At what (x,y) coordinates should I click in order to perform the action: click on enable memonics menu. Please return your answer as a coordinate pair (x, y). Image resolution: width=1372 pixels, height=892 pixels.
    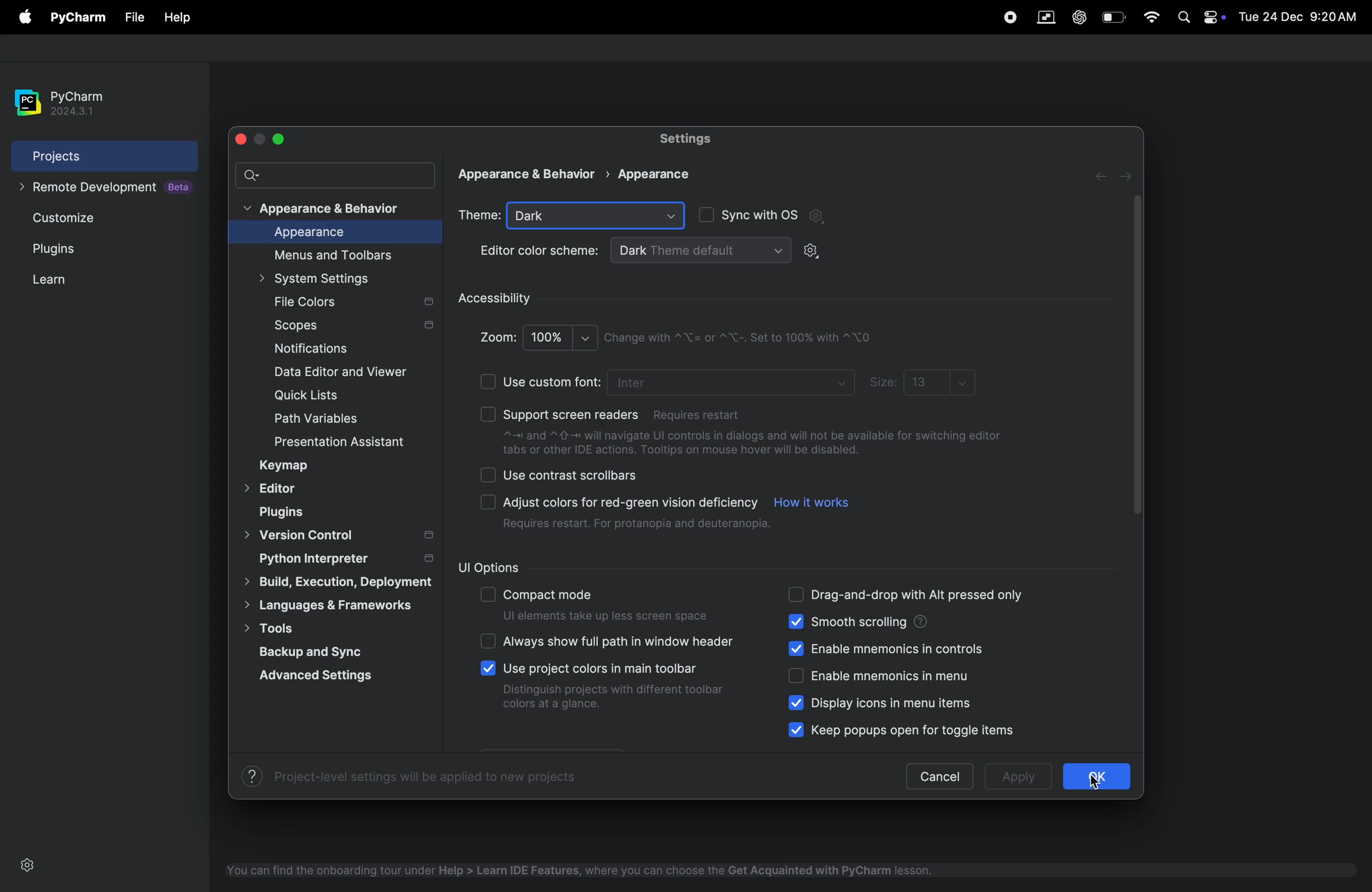
    Looking at the image, I should click on (898, 676).